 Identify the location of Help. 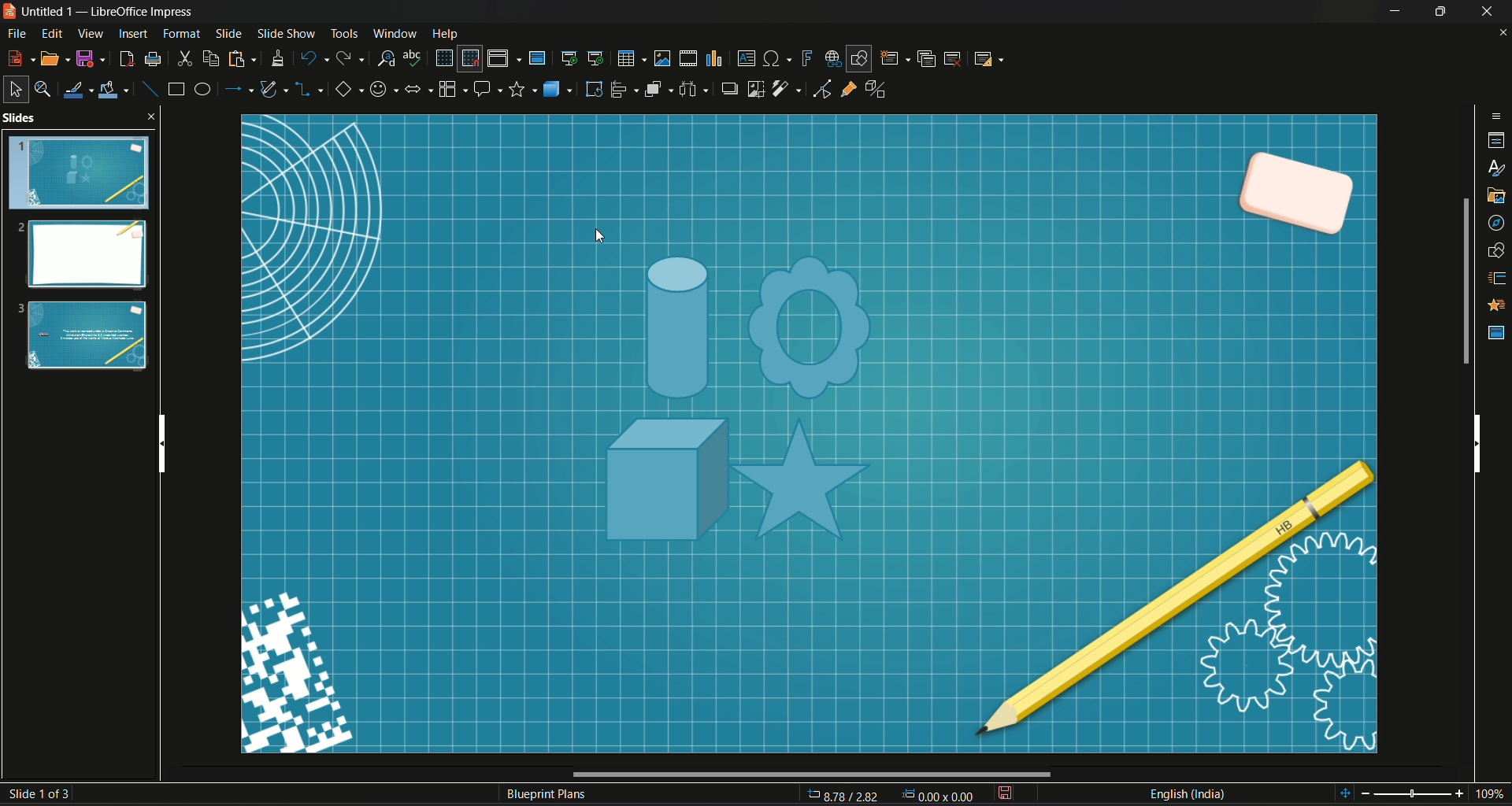
(446, 34).